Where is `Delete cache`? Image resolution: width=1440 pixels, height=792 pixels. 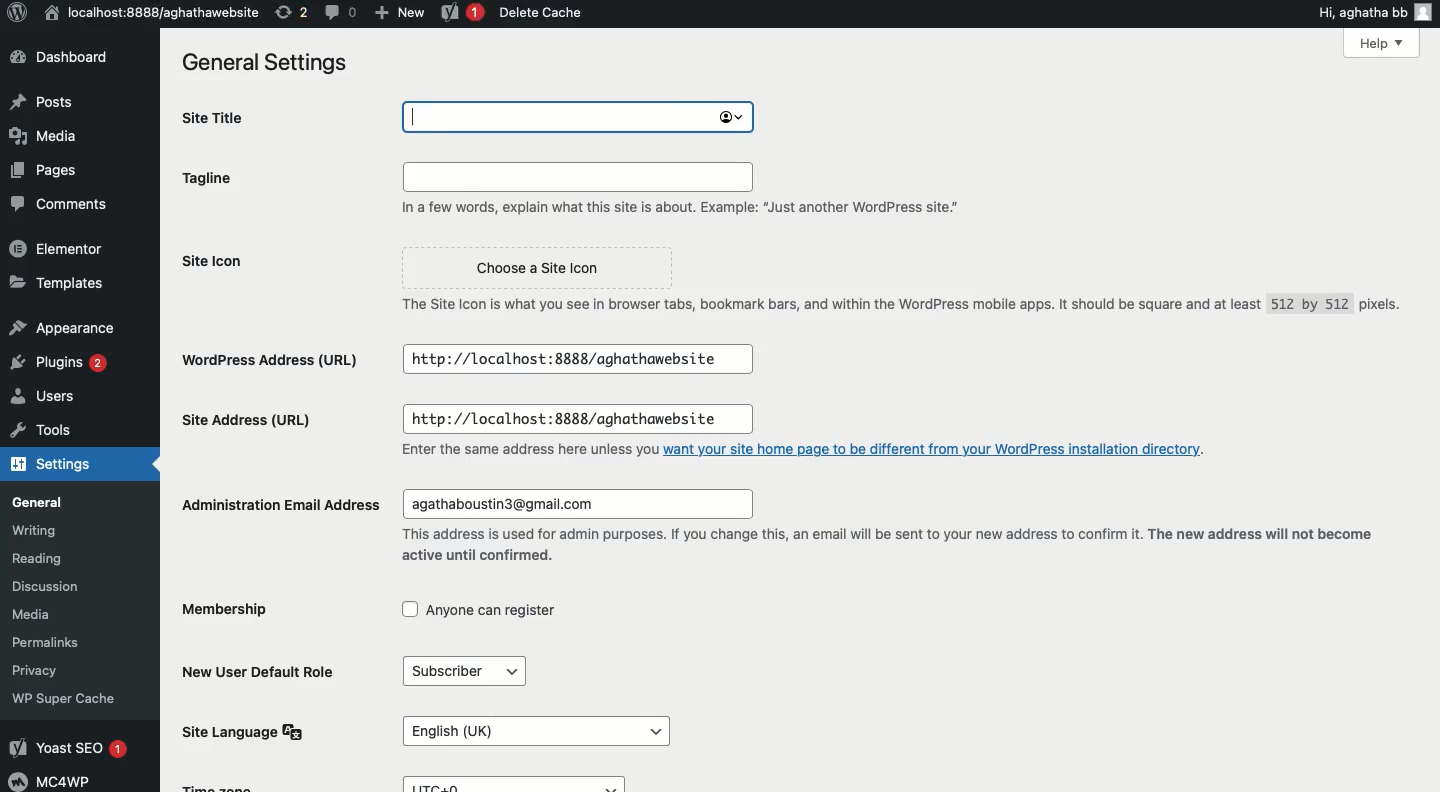
Delete cache is located at coordinates (542, 13).